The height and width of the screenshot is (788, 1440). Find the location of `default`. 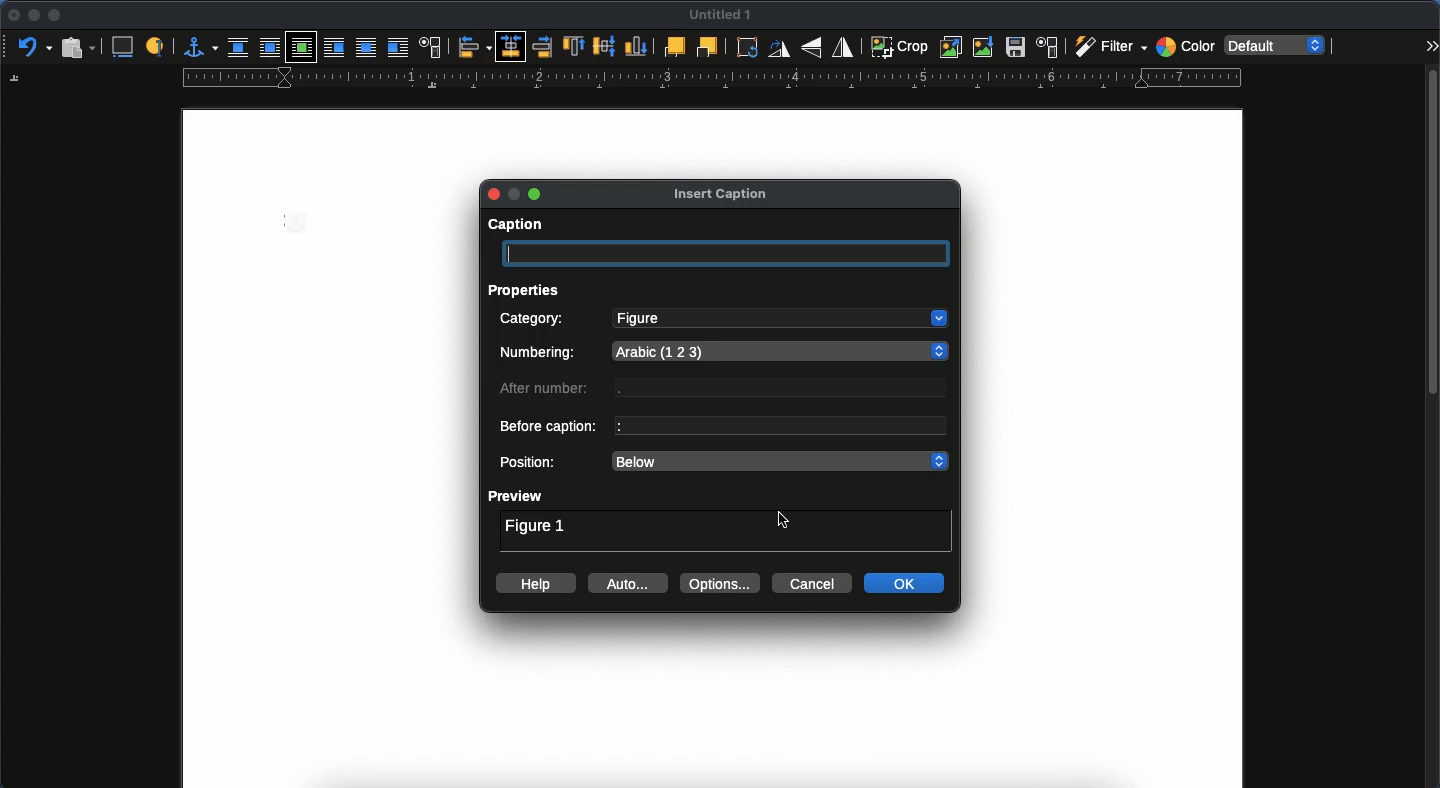

default is located at coordinates (1281, 45).